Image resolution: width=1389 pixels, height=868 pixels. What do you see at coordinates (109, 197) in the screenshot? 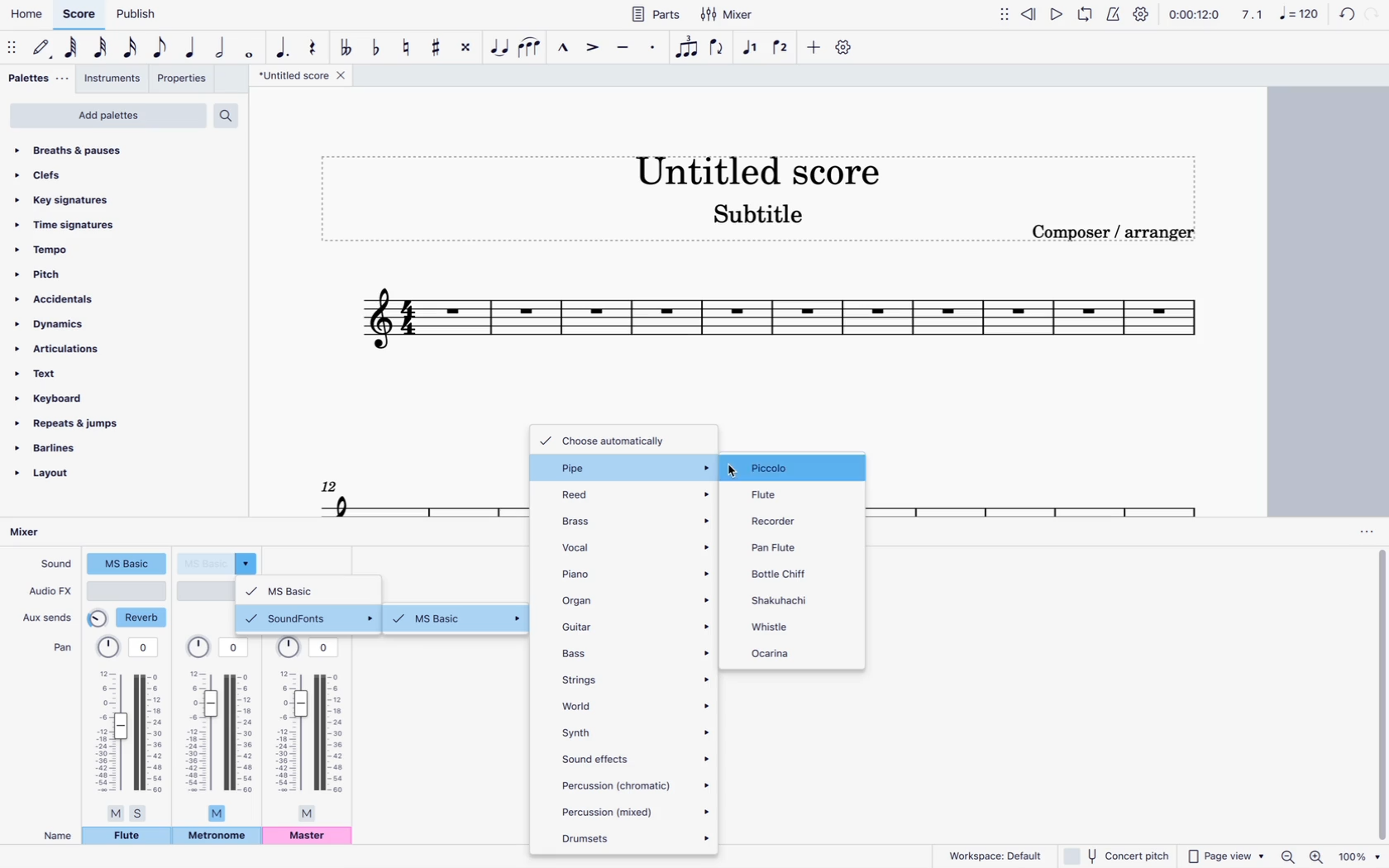
I see `key signatures` at bounding box center [109, 197].